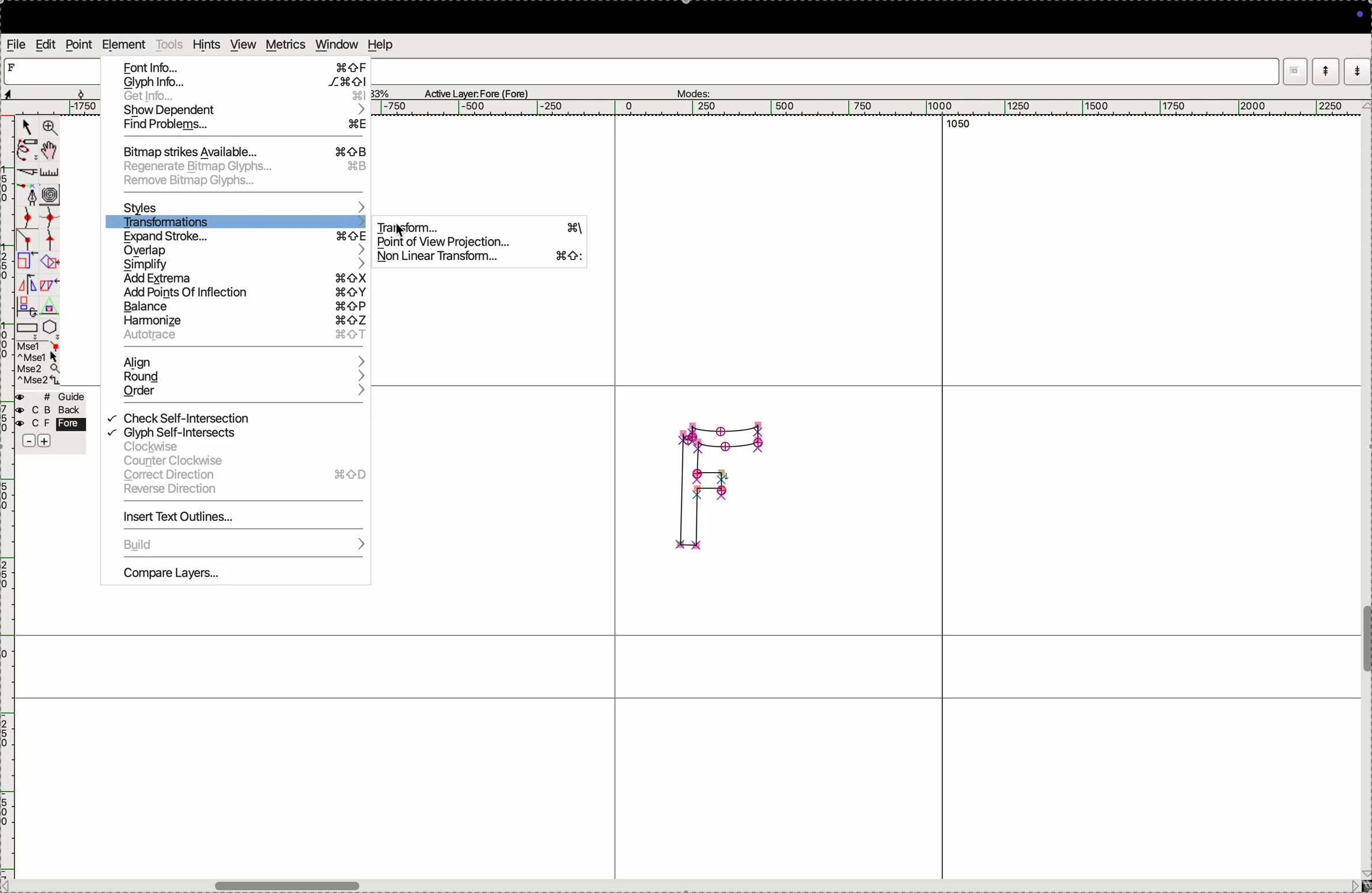  I want to click on point, so click(78, 46).